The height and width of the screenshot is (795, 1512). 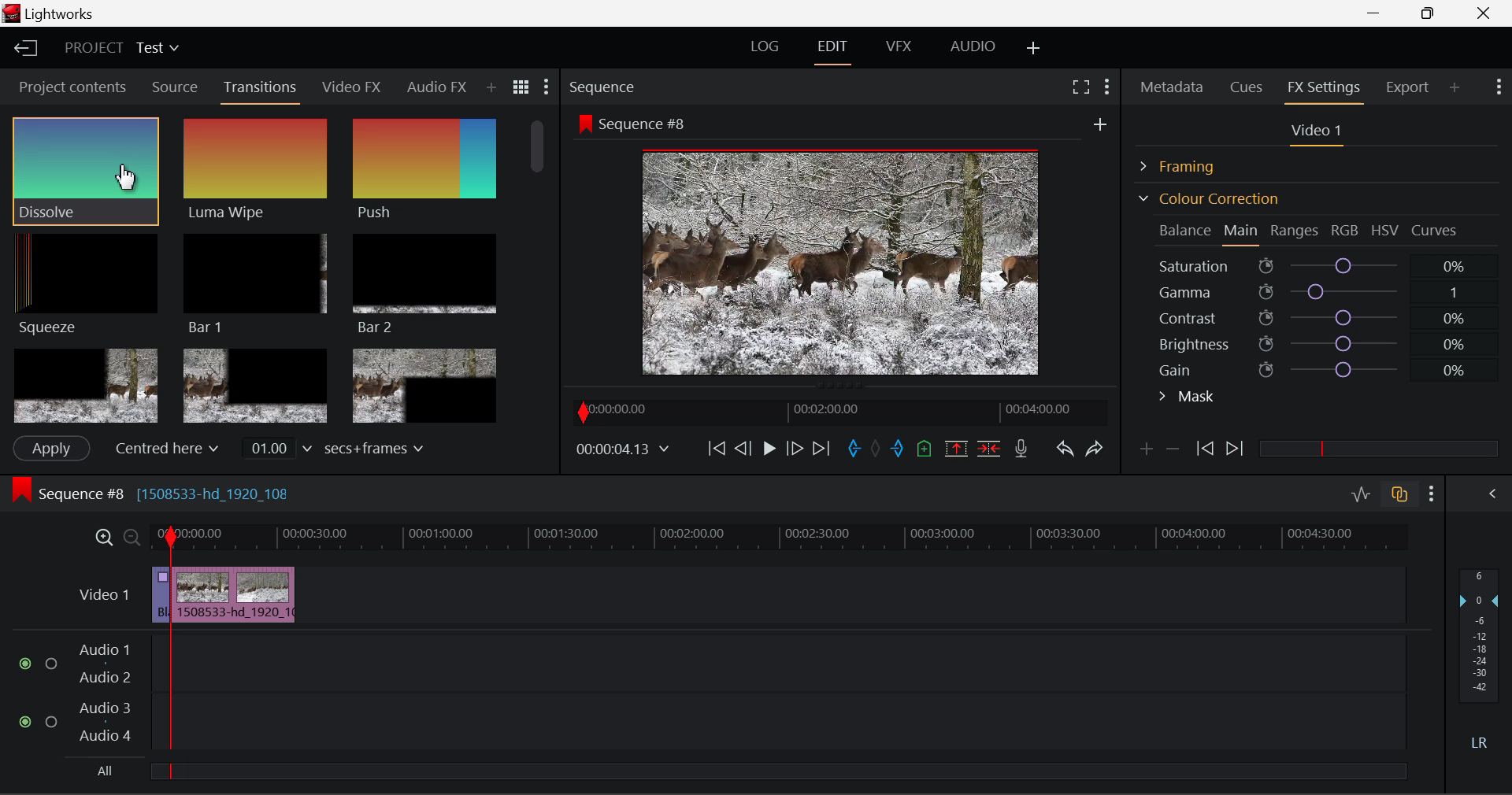 What do you see at coordinates (777, 771) in the screenshot?
I see `slider` at bounding box center [777, 771].